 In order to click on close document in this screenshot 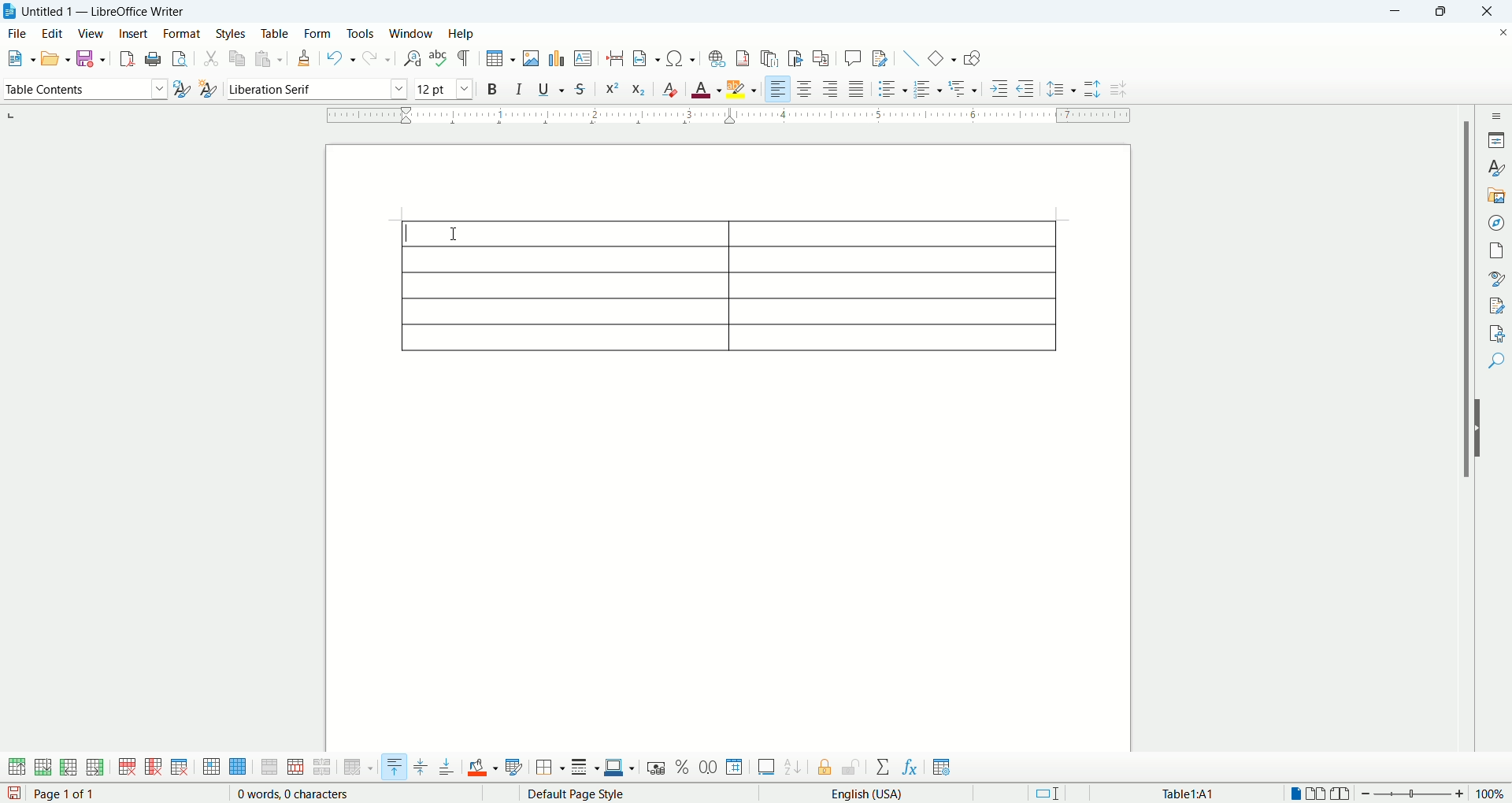, I will do `click(1503, 33)`.